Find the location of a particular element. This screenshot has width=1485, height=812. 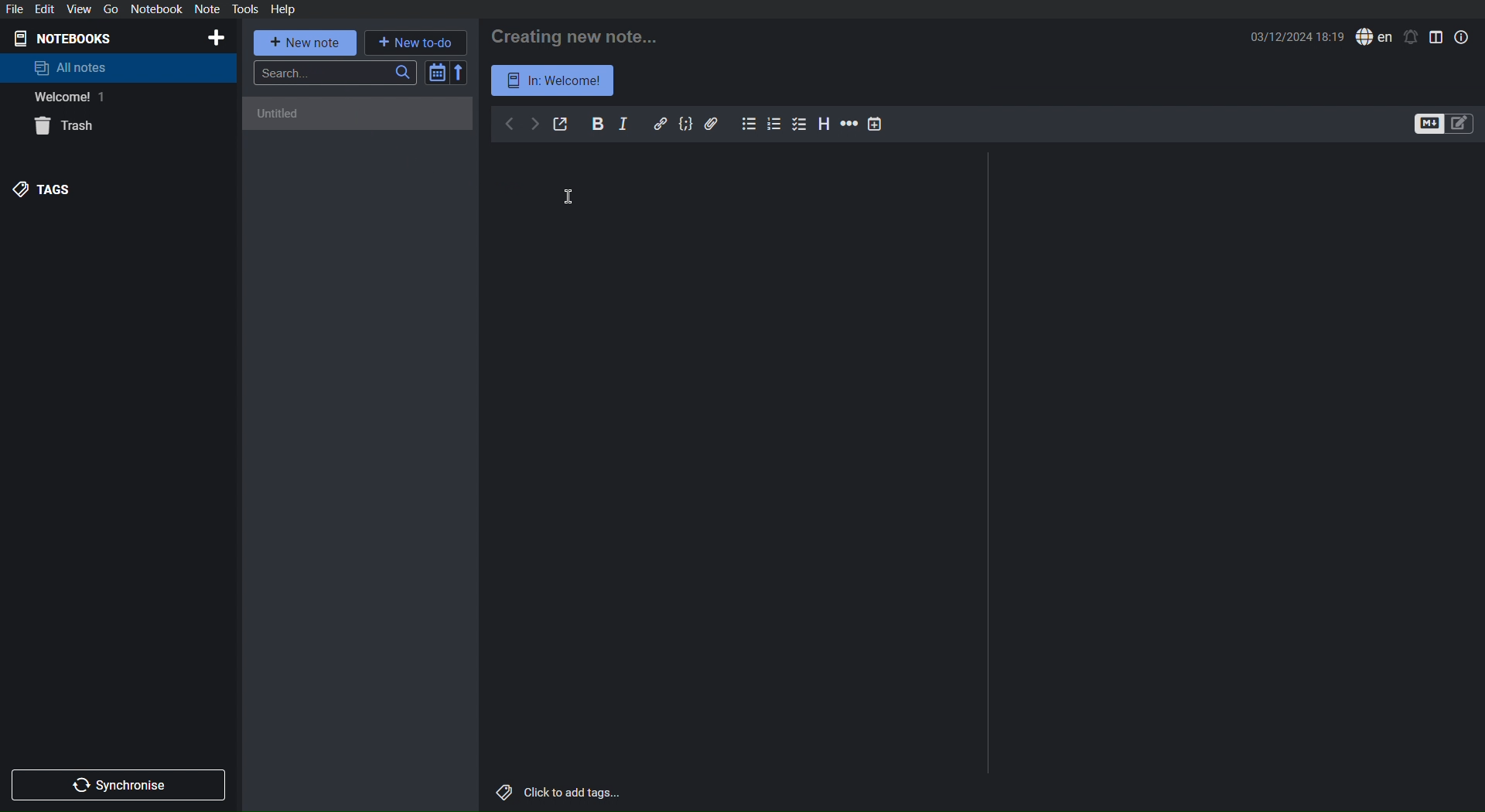

No notes in here is located at coordinates (360, 121).